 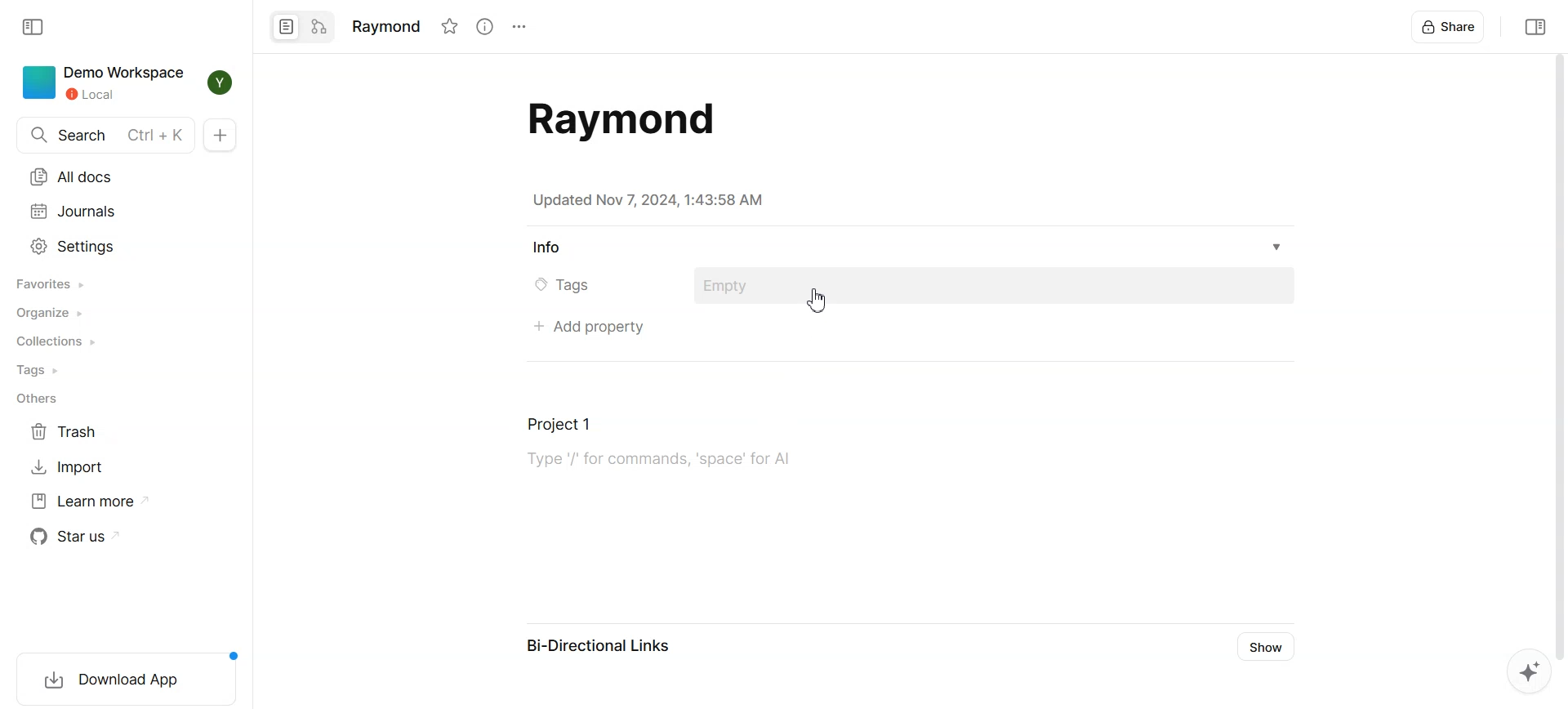 I want to click on Vertical scrollbar, so click(x=1558, y=354).